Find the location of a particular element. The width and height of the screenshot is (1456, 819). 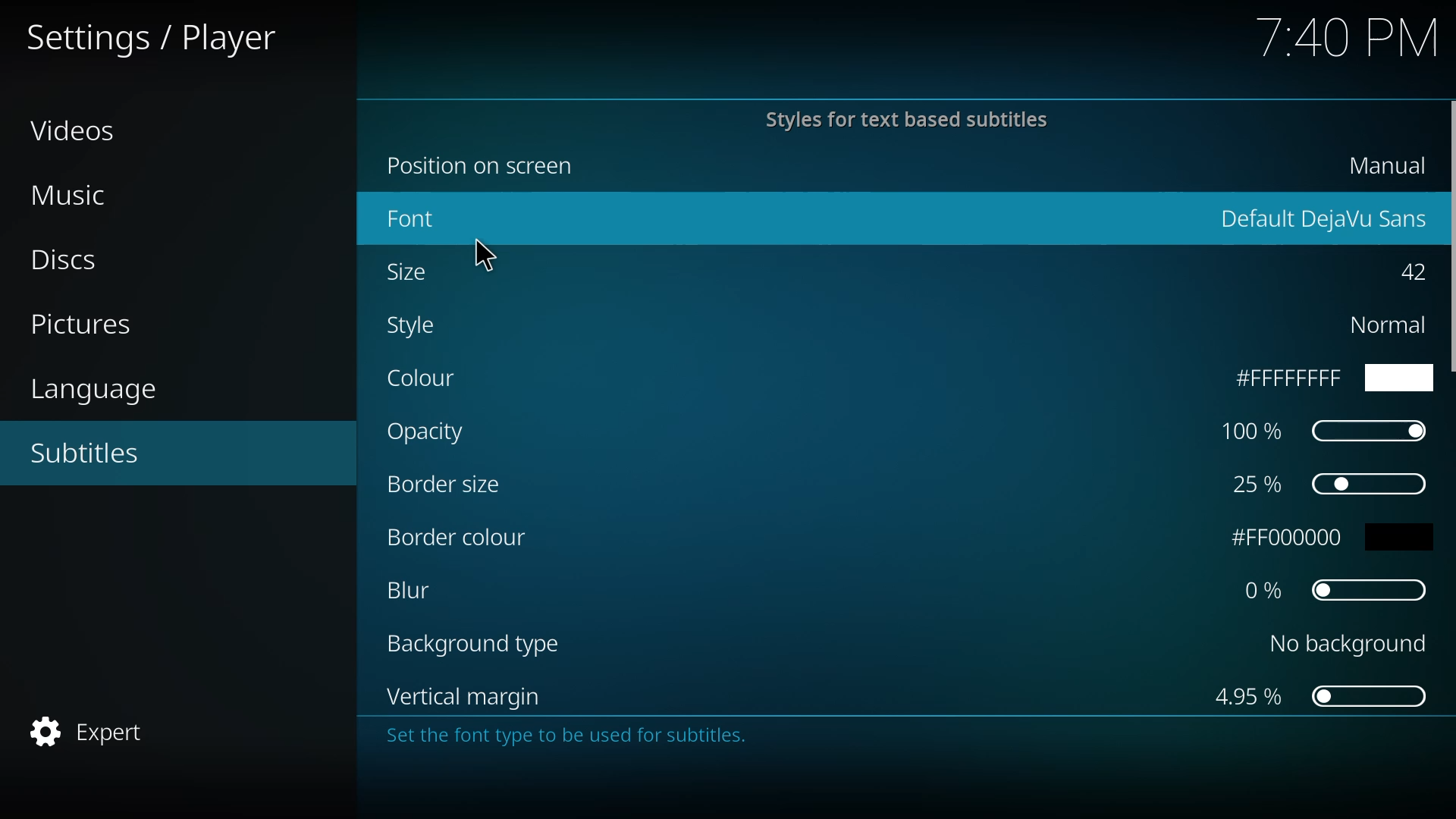

opacity is located at coordinates (428, 431).